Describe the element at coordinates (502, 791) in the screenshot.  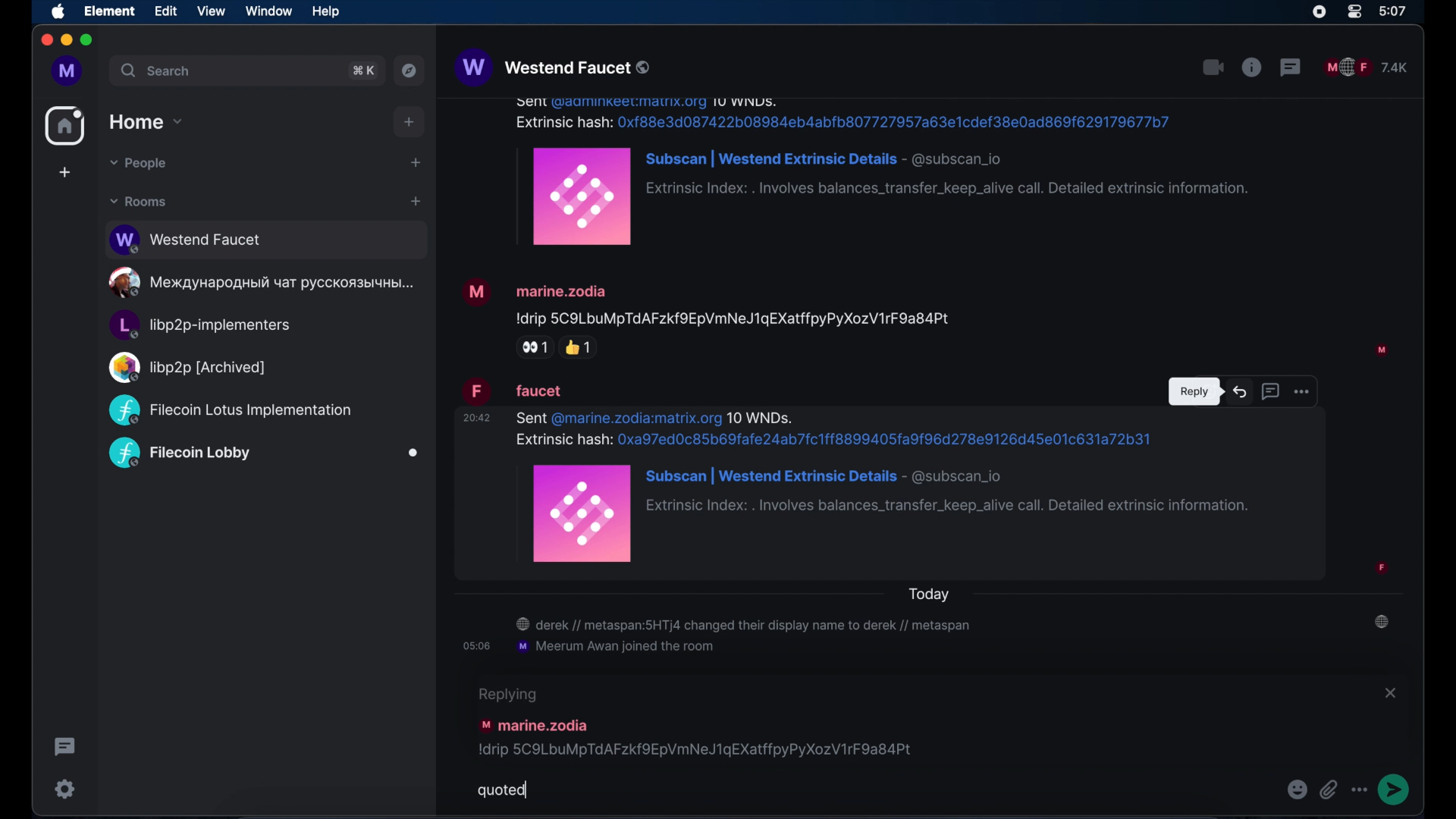
I see `quoted` at that location.